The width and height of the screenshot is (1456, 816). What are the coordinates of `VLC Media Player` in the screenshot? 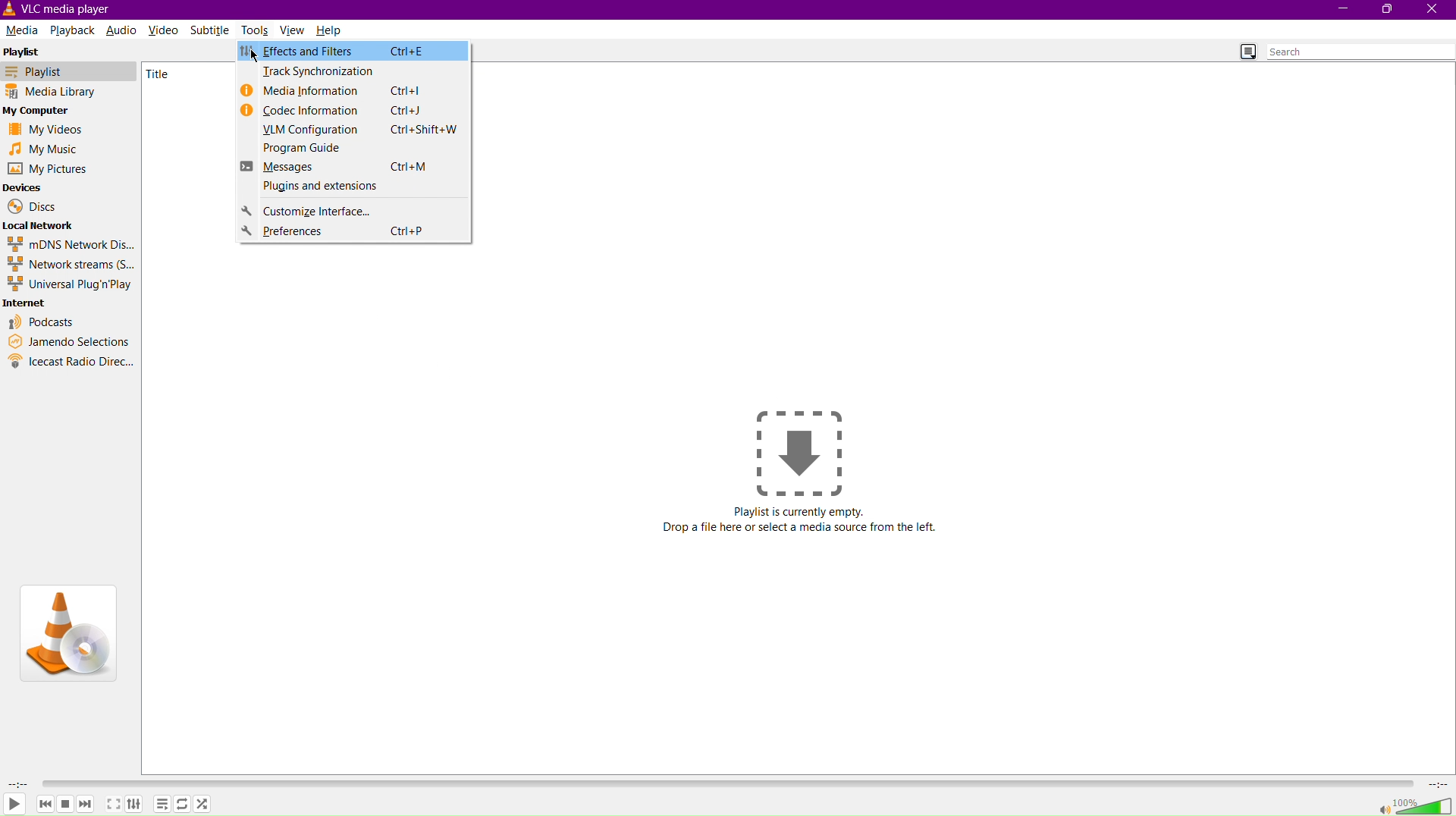 It's located at (58, 9).